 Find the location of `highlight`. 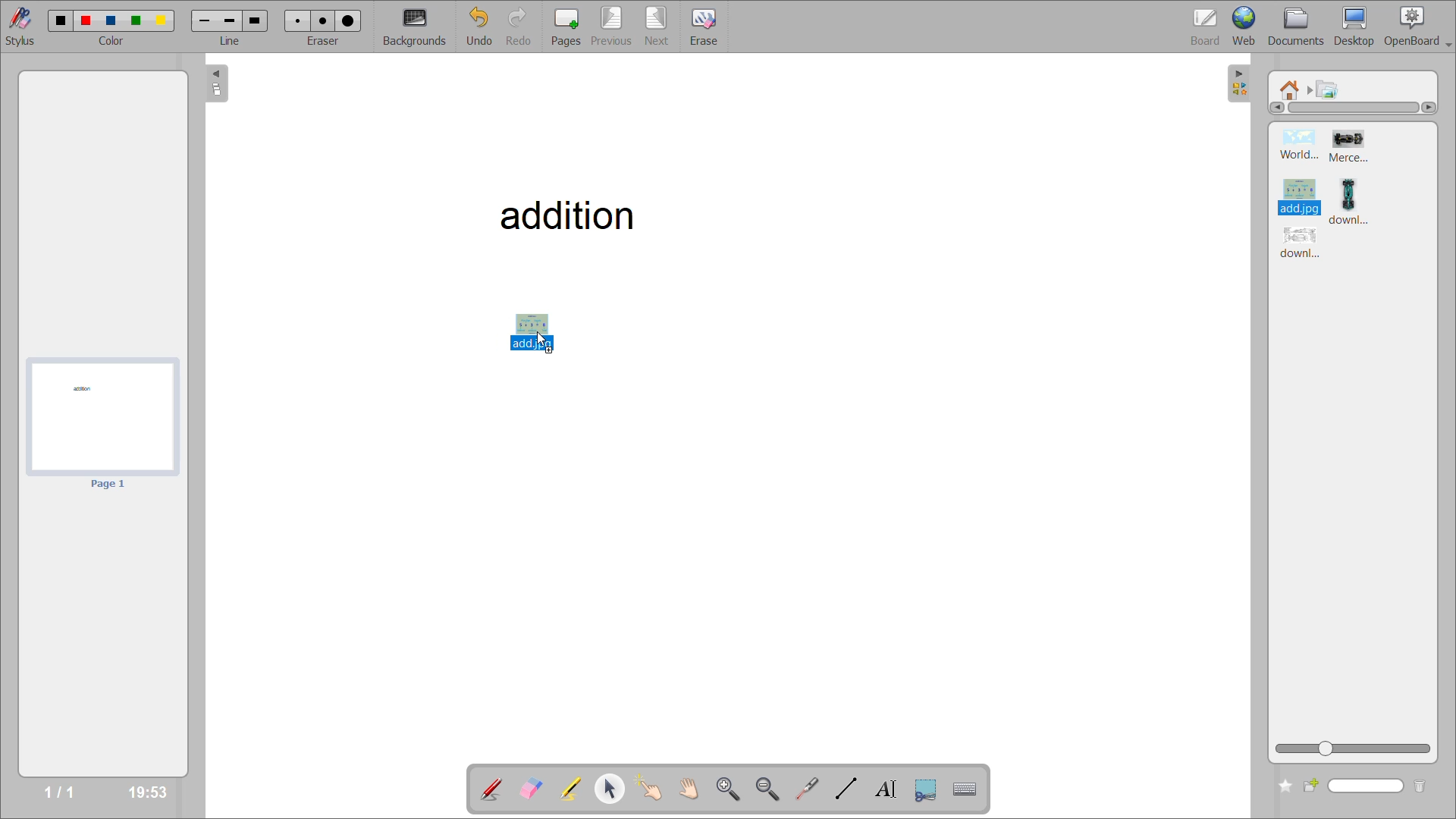

highlight is located at coordinates (576, 790).